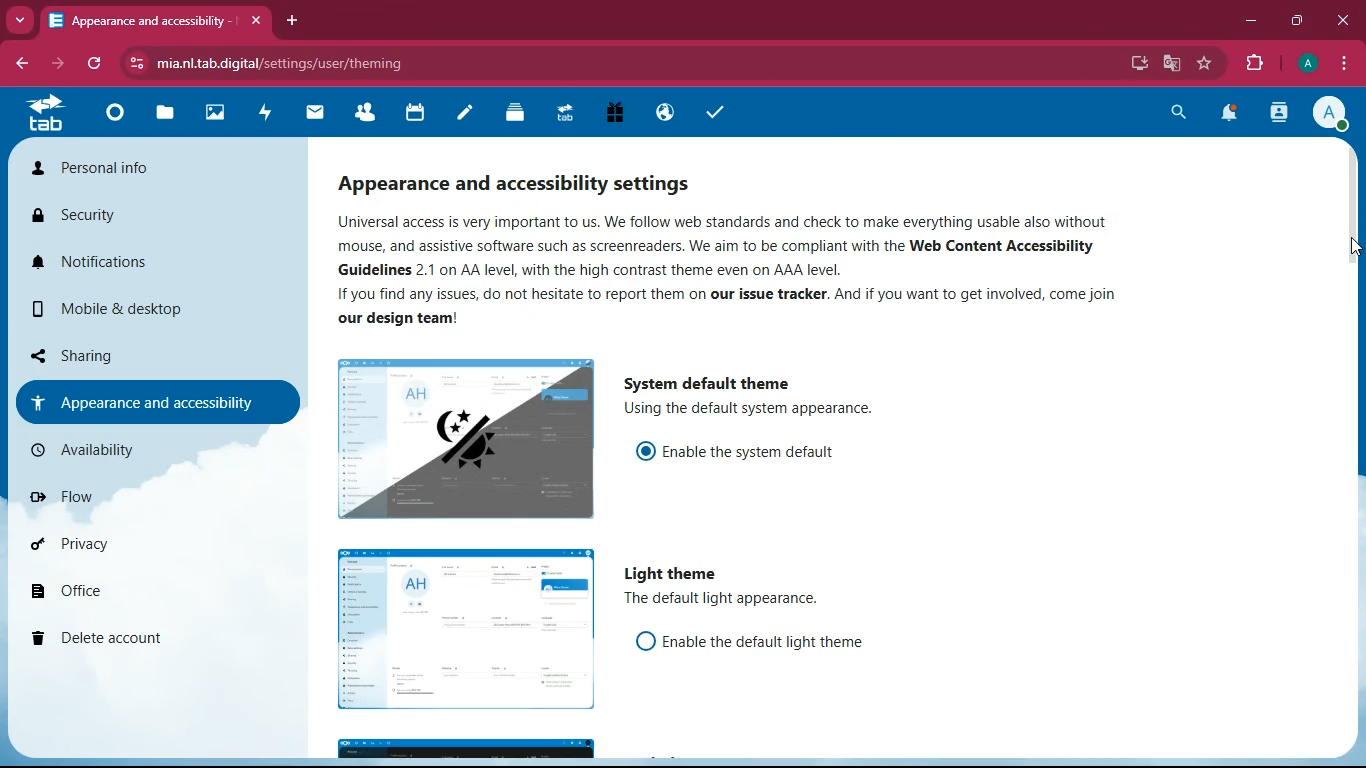 This screenshot has height=768, width=1366. I want to click on more, so click(22, 20).